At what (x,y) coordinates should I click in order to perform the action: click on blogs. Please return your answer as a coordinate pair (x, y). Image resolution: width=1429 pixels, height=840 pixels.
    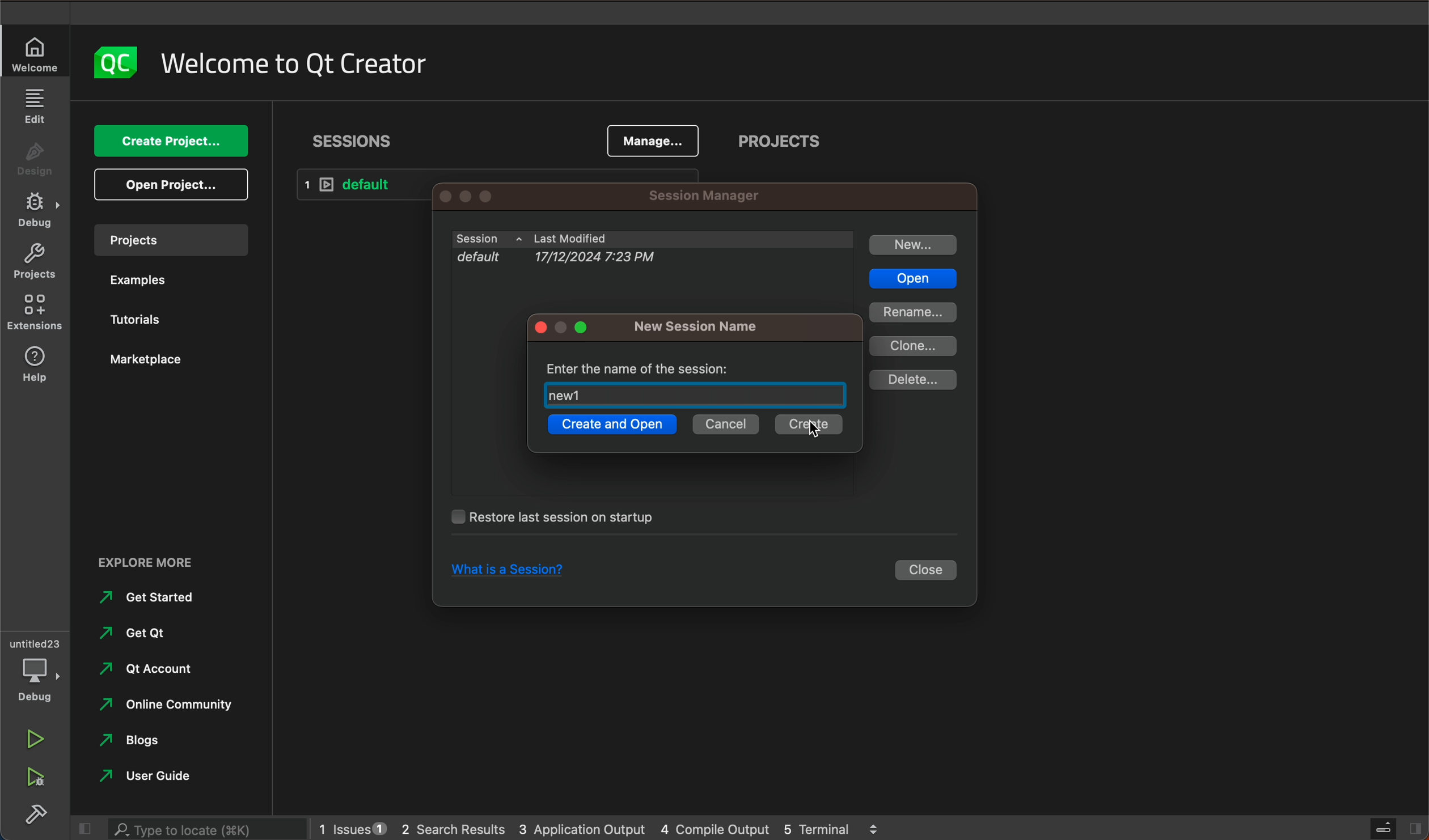
    Looking at the image, I should click on (136, 741).